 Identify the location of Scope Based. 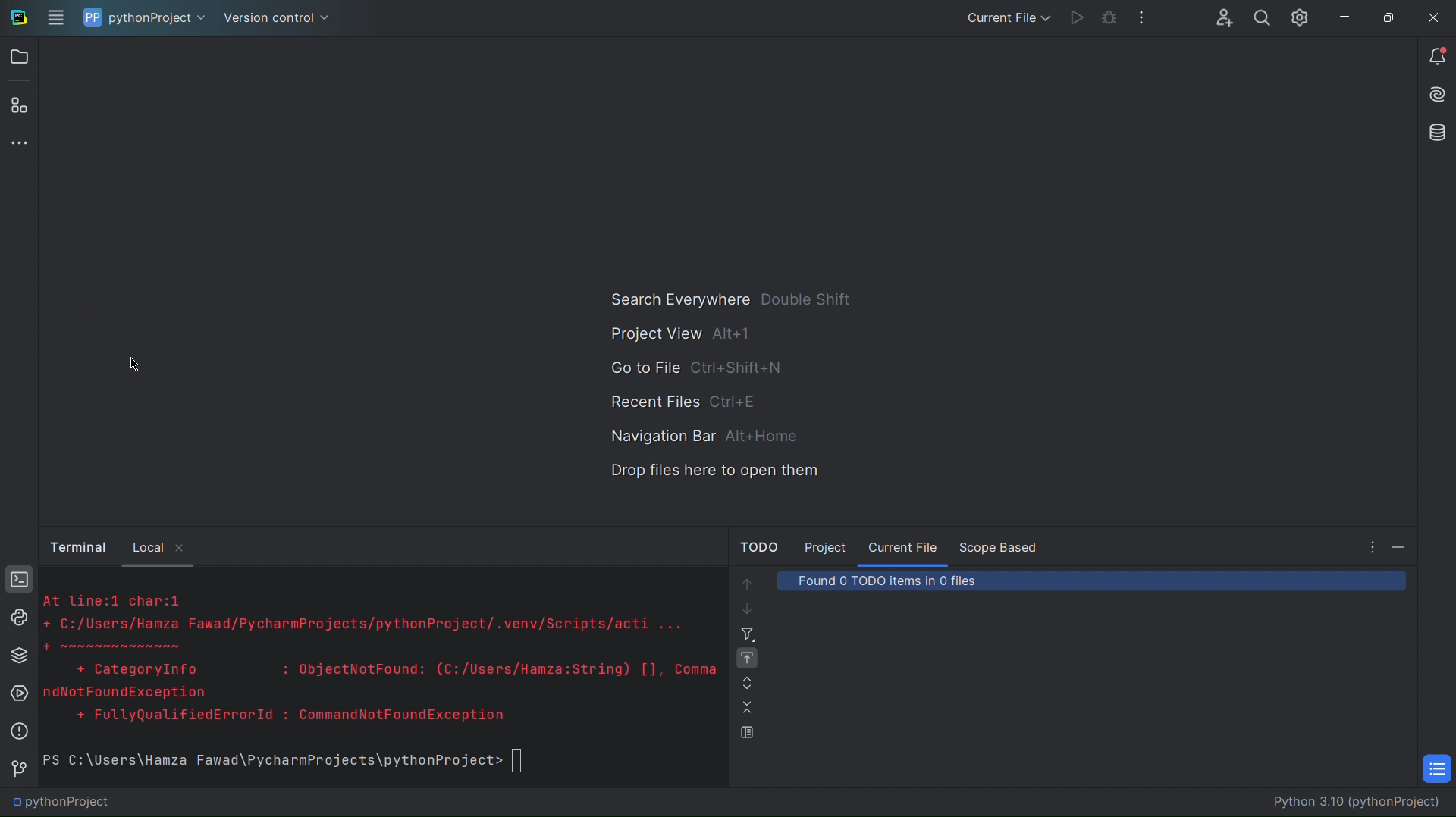
(1002, 544).